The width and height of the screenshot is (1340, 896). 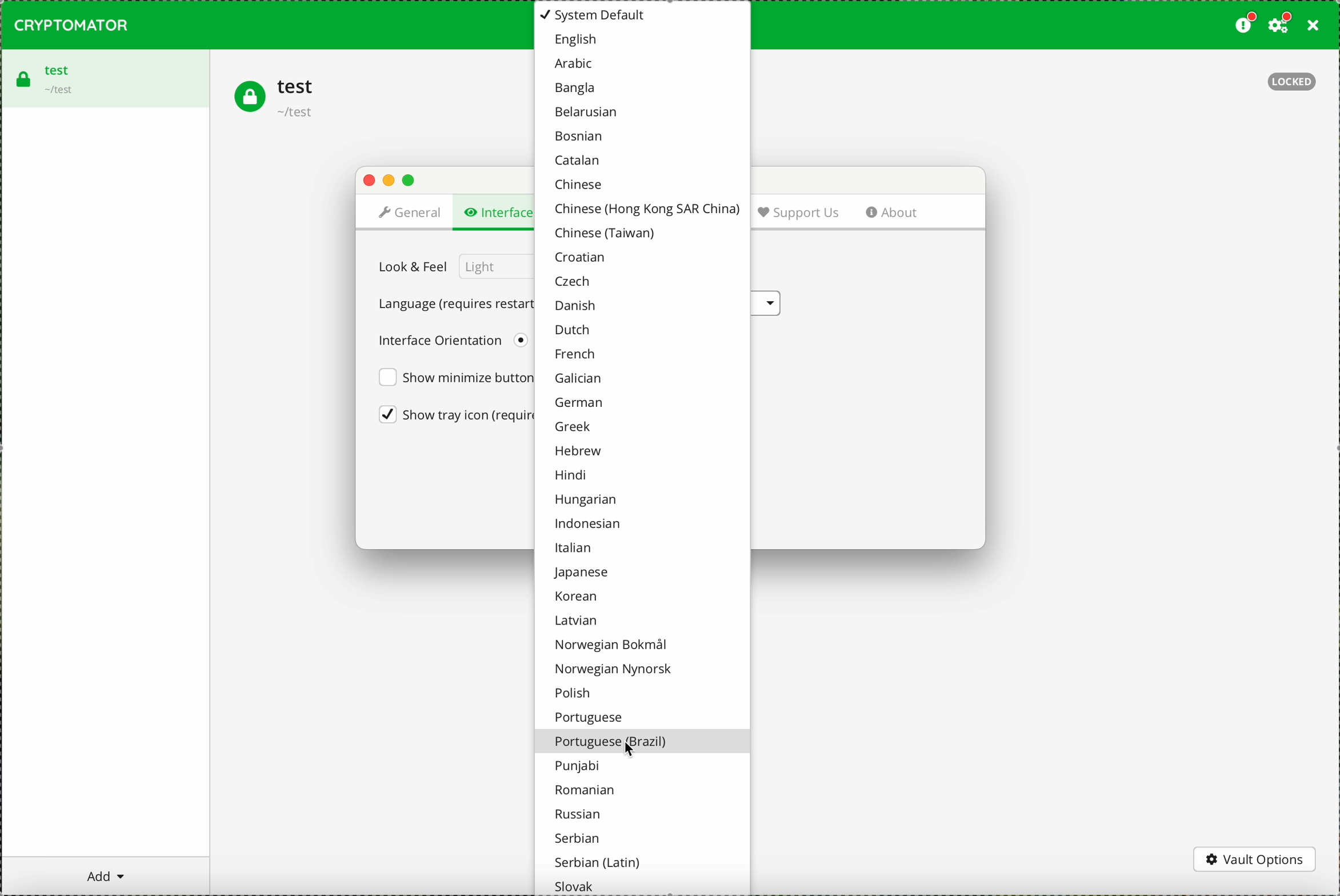 I want to click on hungarian, so click(x=593, y=501).